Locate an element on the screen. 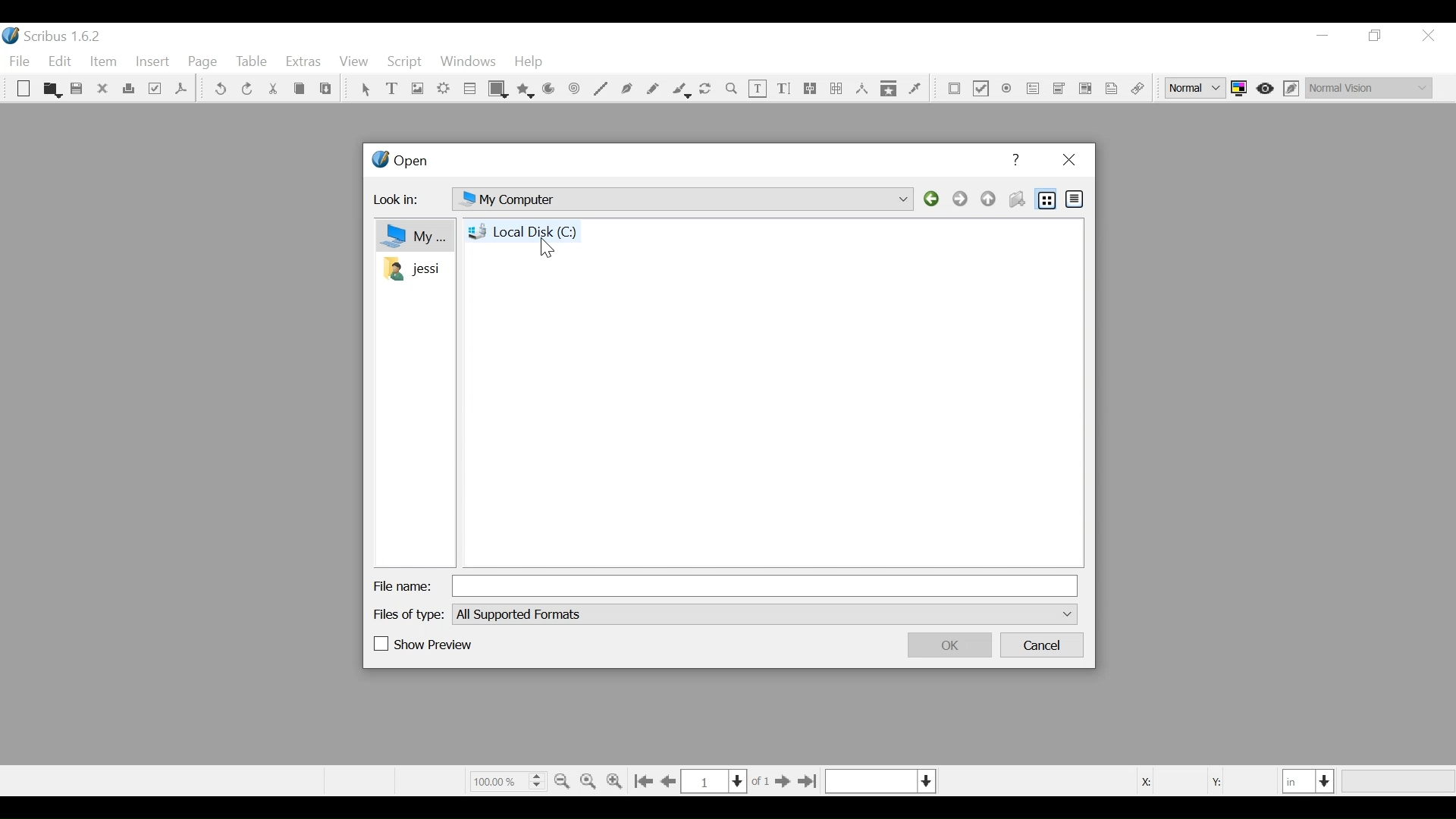 The width and height of the screenshot is (1456, 819). Save is located at coordinates (78, 90).